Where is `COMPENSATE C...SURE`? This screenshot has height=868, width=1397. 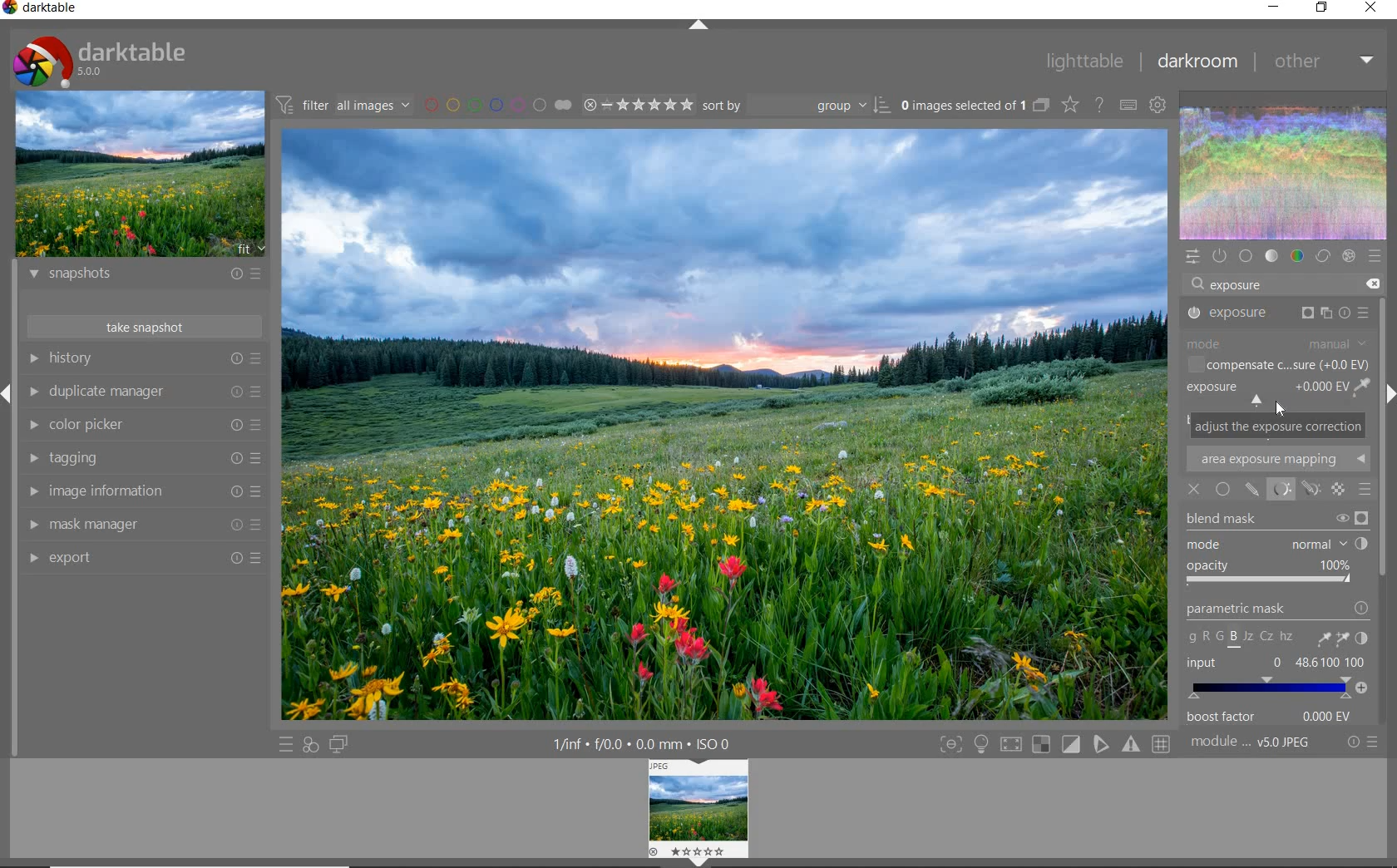
COMPENSATE C...SURE is located at coordinates (1275, 365).